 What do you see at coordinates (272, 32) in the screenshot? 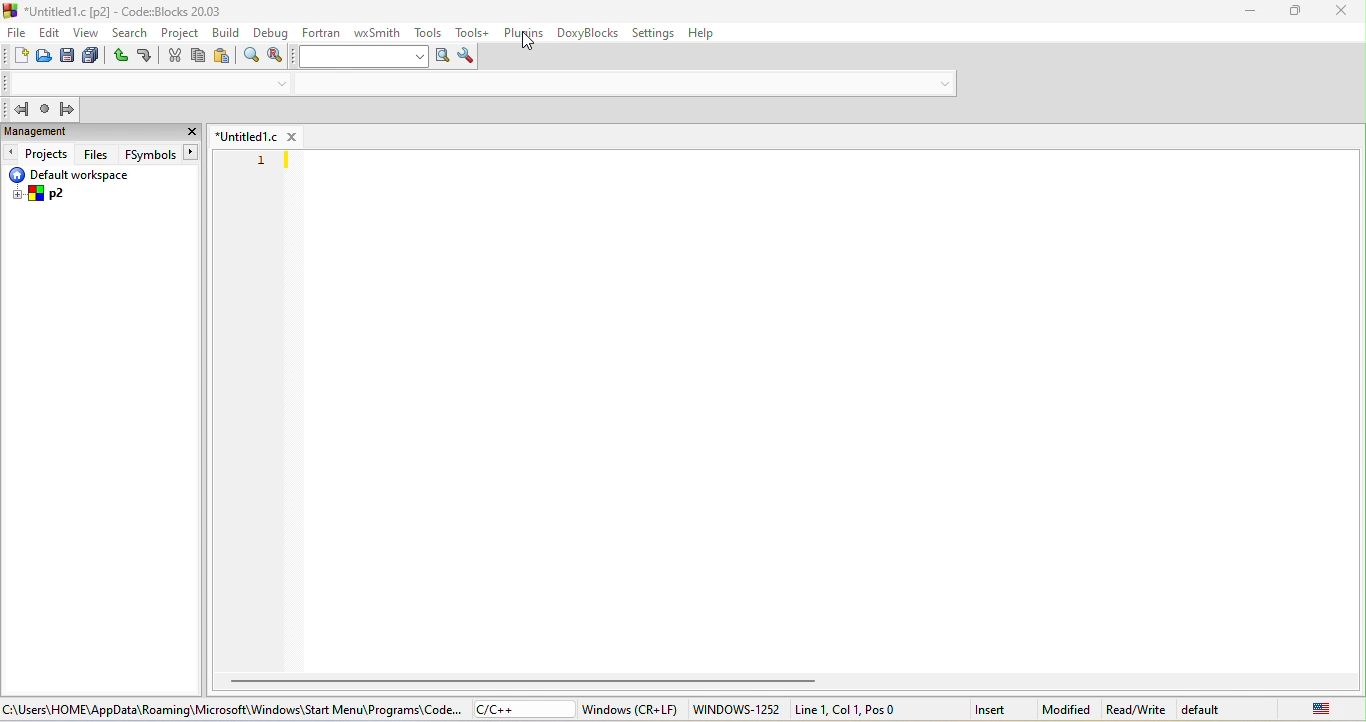
I see `debug` at bounding box center [272, 32].